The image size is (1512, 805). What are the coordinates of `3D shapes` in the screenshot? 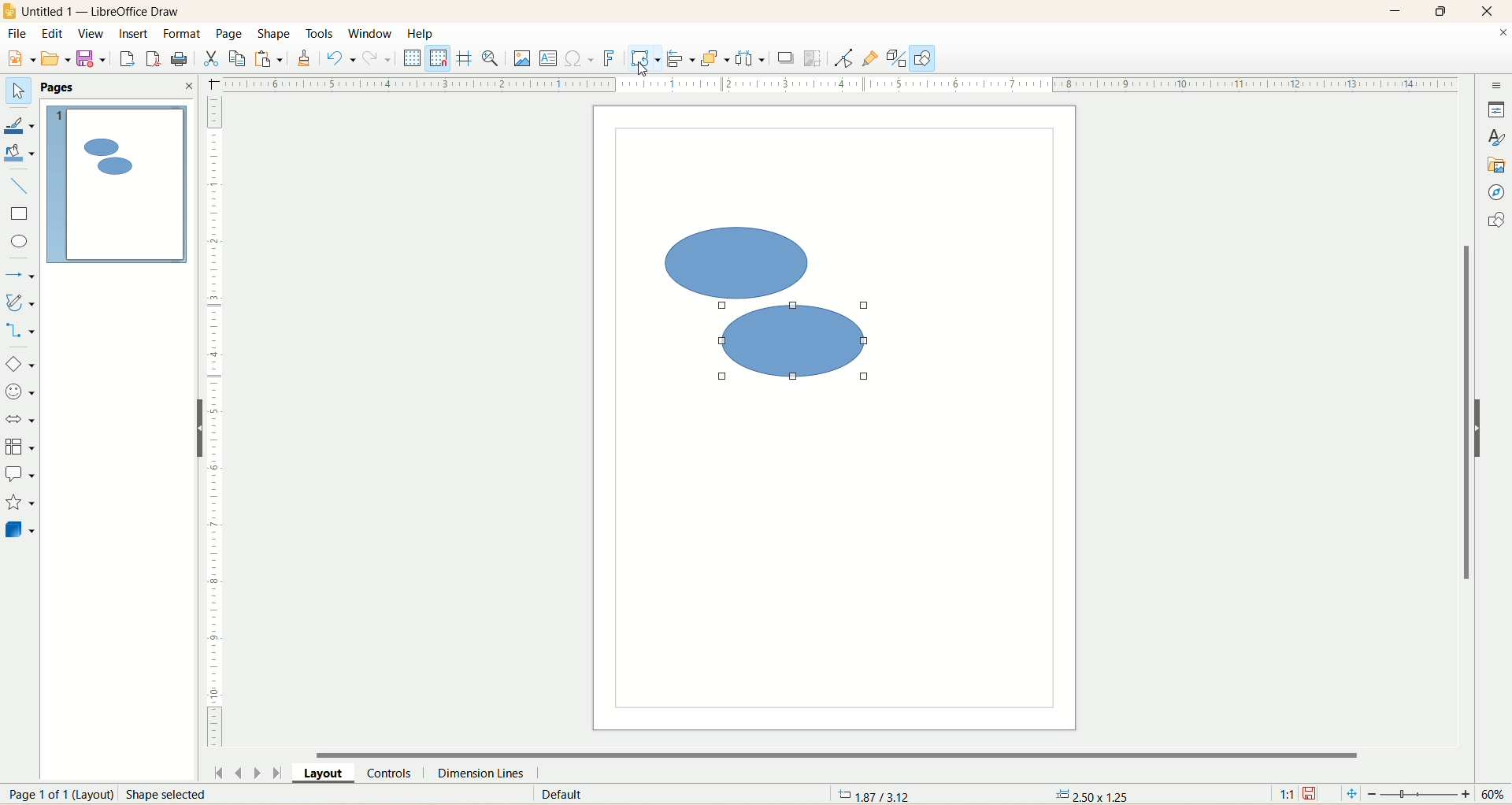 It's located at (21, 529).